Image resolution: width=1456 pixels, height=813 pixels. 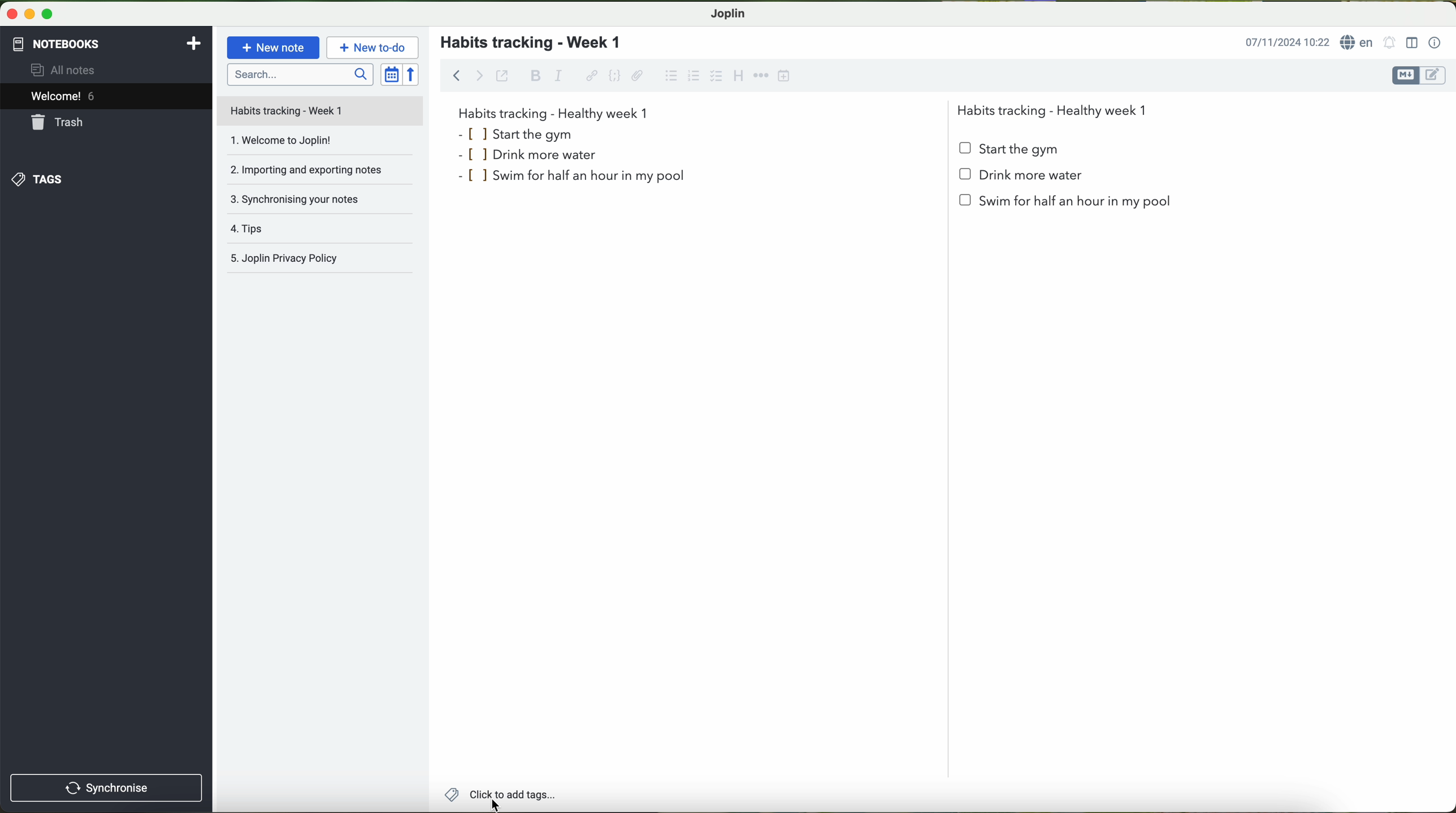 What do you see at coordinates (616, 76) in the screenshot?
I see `code` at bounding box center [616, 76].